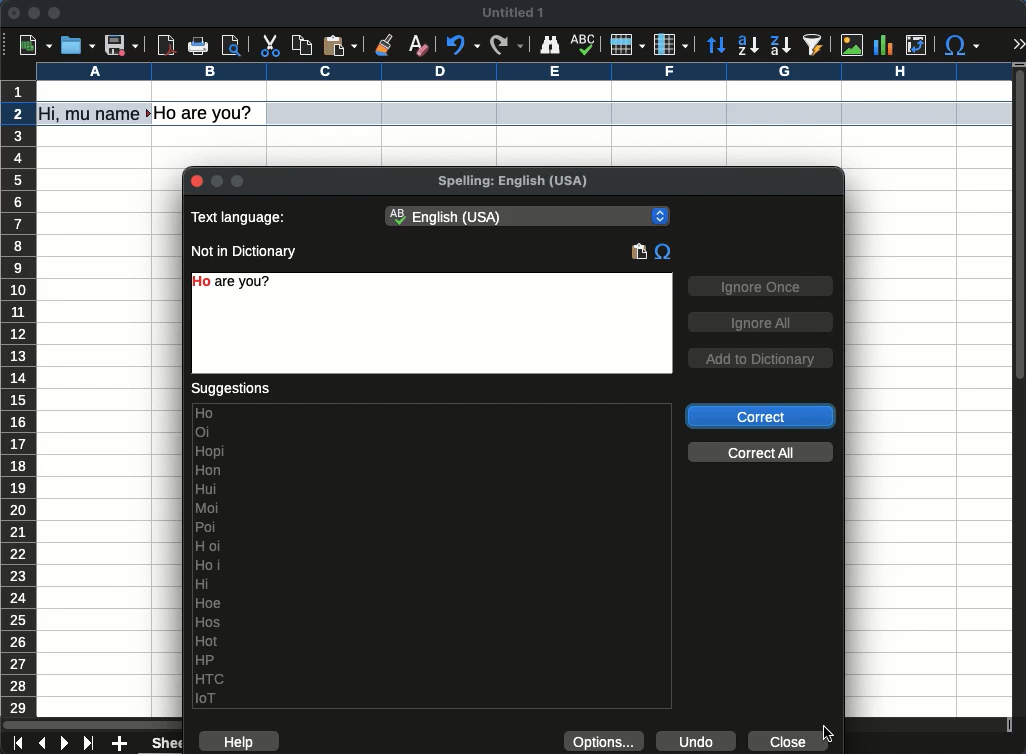 The image size is (1026, 754). I want to click on paste, so click(342, 44).